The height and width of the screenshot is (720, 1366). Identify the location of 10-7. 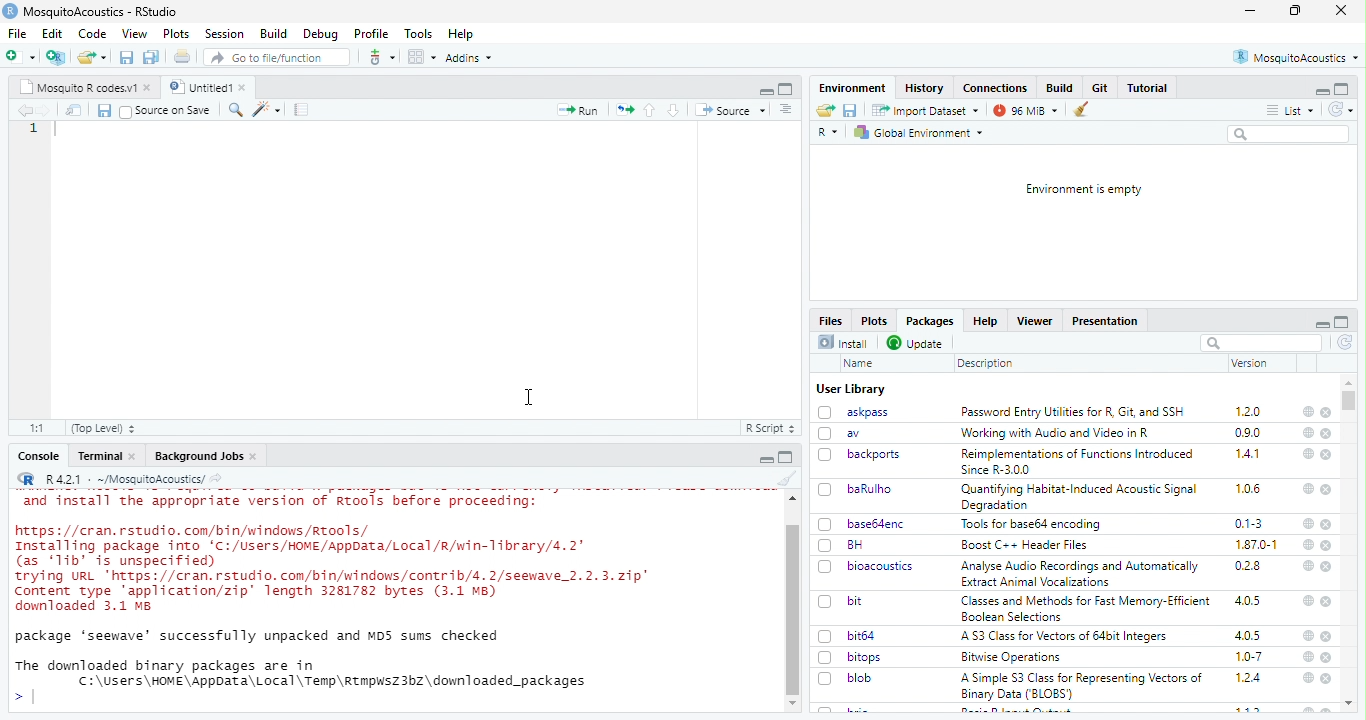
(1250, 657).